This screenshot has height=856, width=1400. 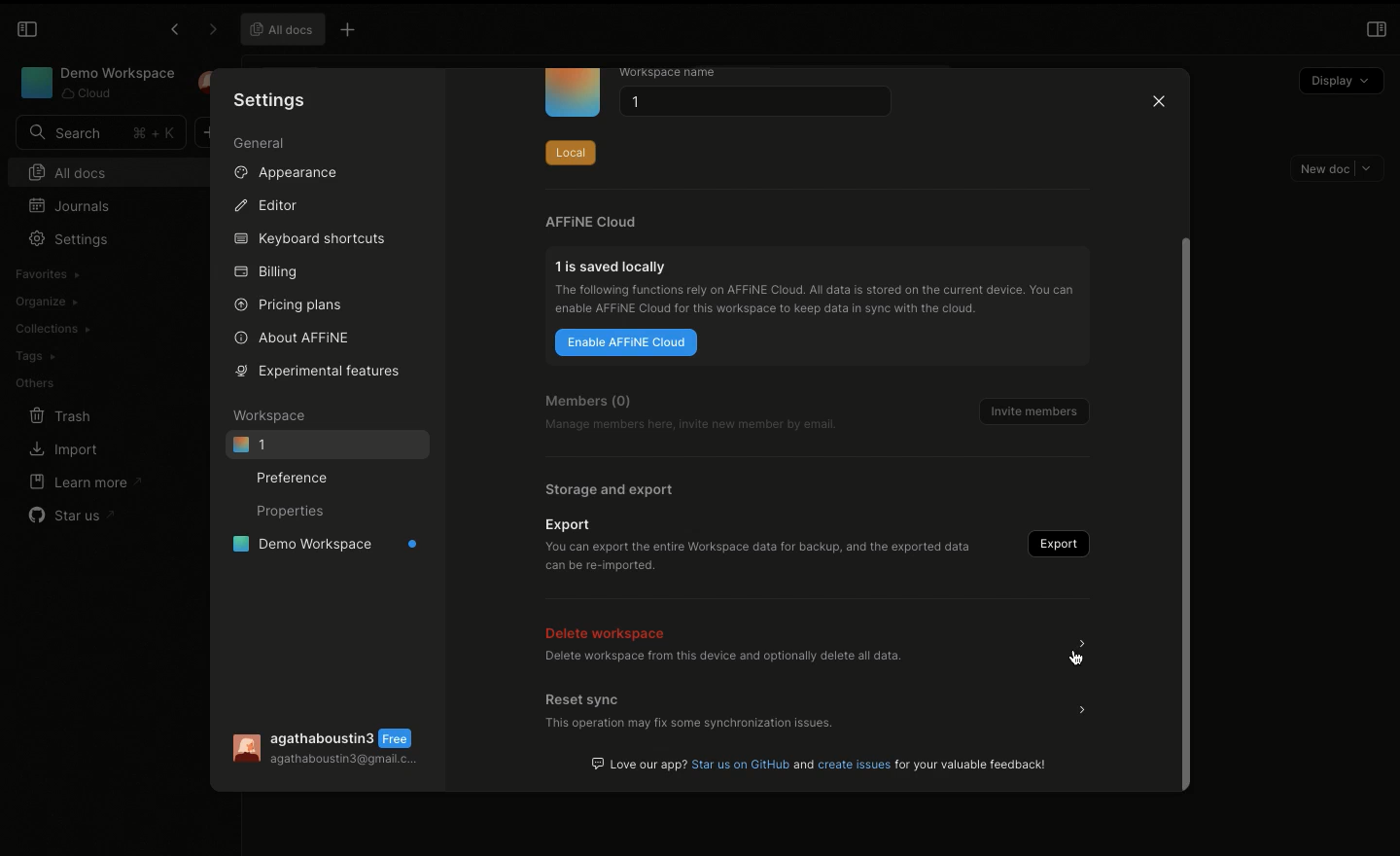 I want to click on 1, so click(x=327, y=445).